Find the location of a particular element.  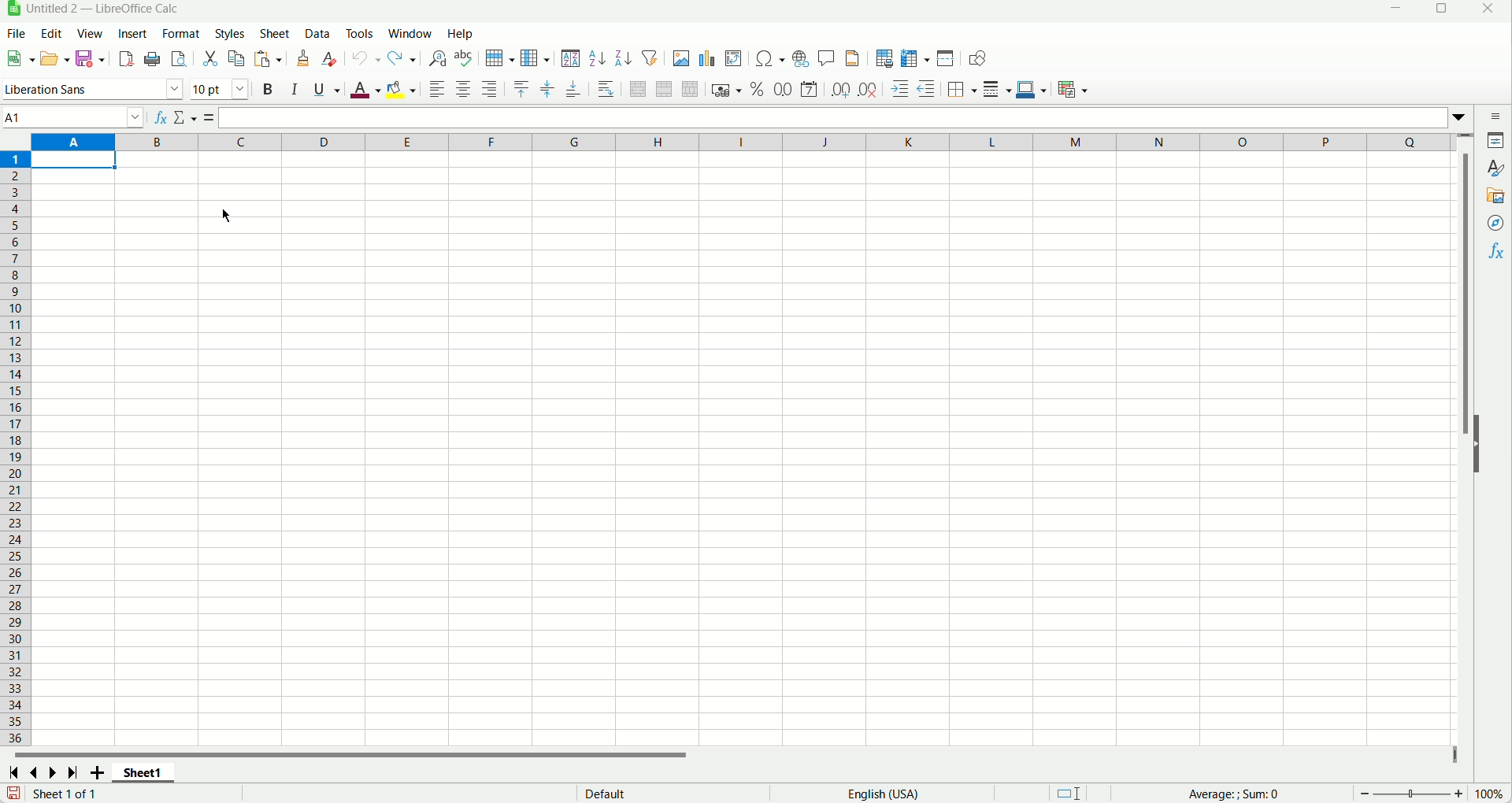

Borders is located at coordinates (963, 89).